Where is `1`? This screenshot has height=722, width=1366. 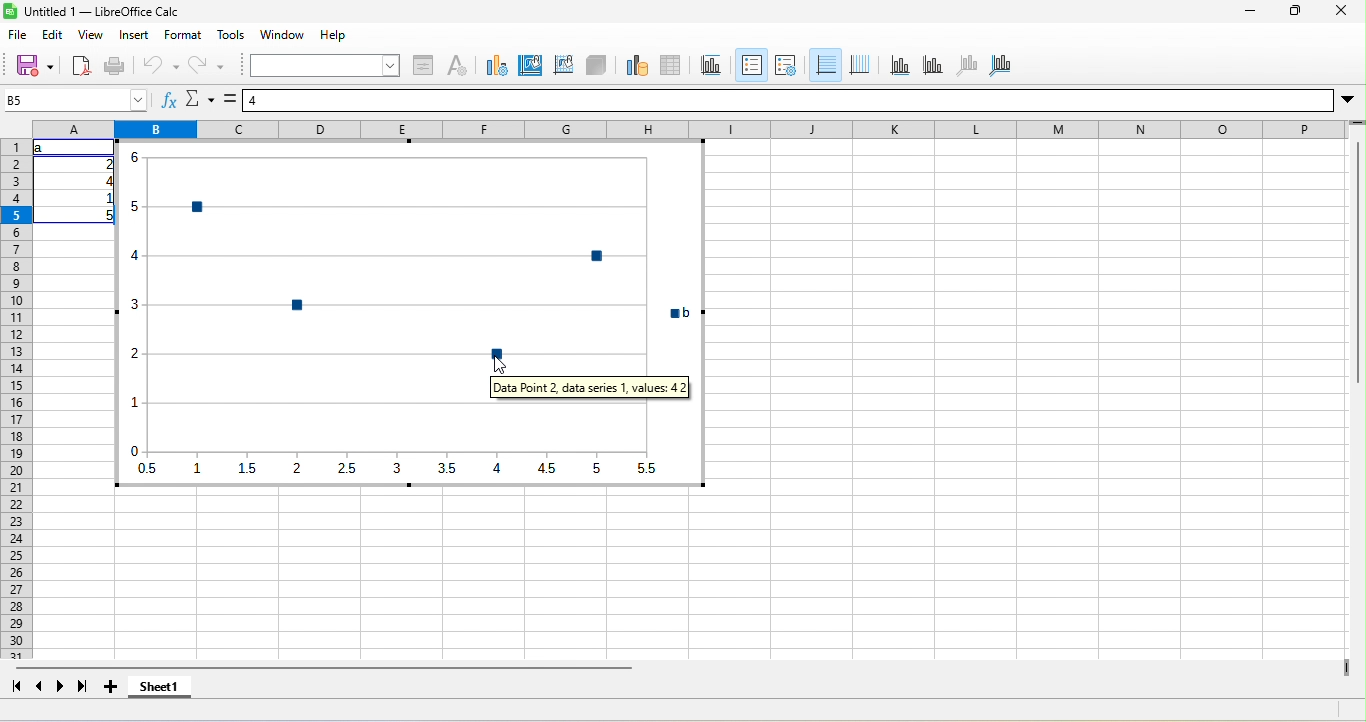
1 is located at coordinates (105, 198).